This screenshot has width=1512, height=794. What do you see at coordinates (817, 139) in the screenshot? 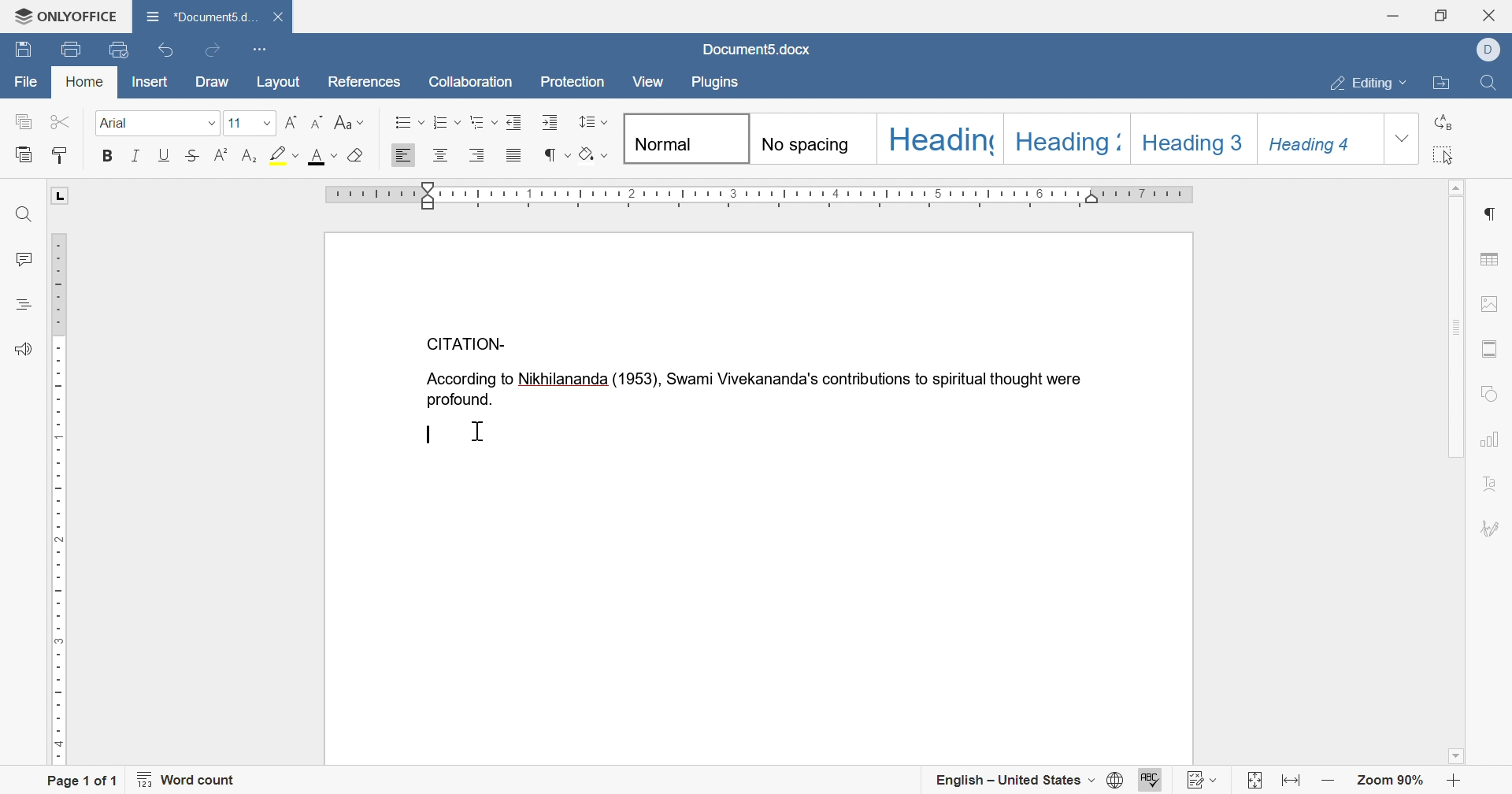
I see `No spacing` at bounding box center [817, 139].